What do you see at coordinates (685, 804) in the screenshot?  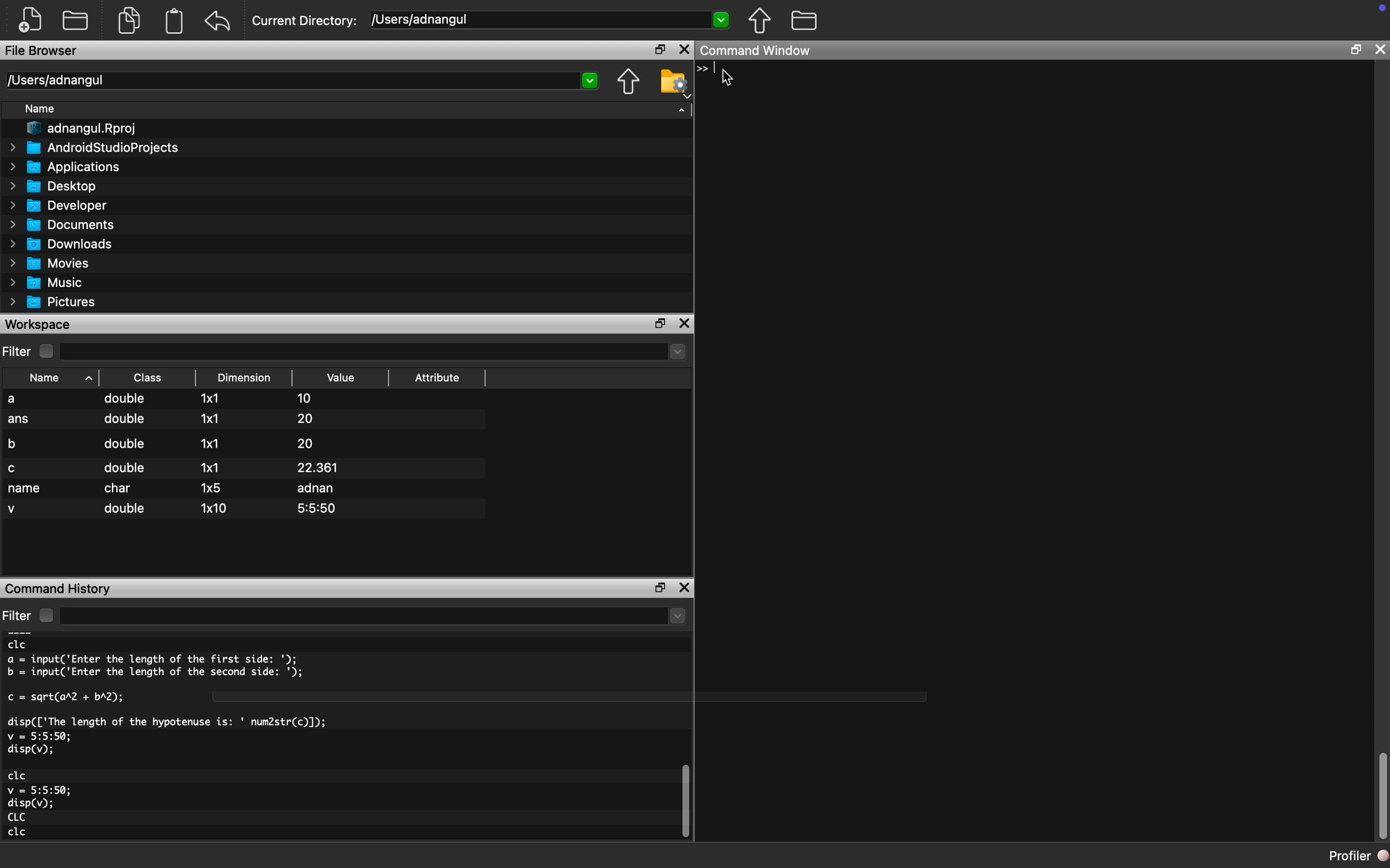 I see `Scrollbar` at bounding box center [685, 804].